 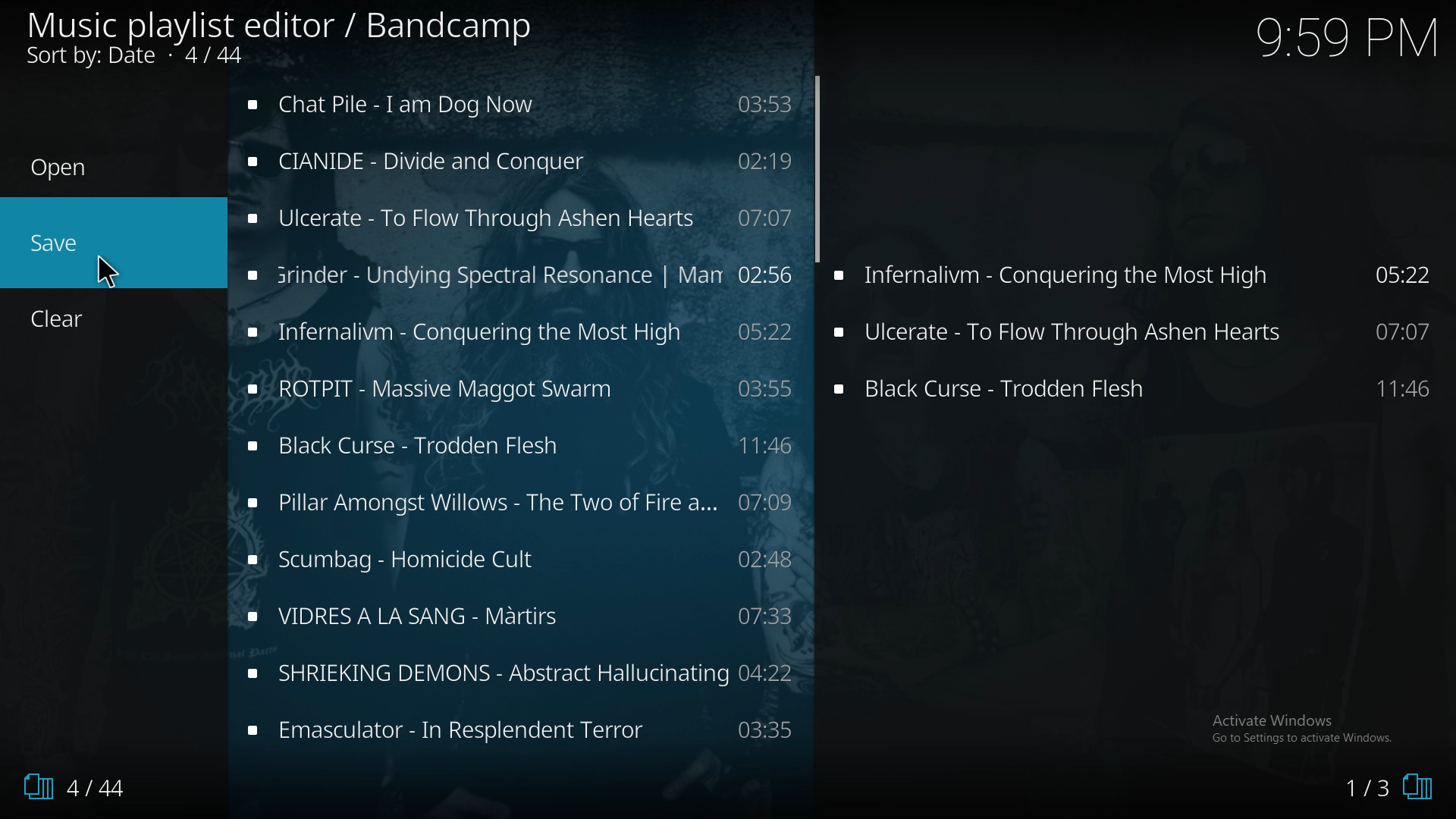 I want to click on 1/2, so click(x=1381, y=790).